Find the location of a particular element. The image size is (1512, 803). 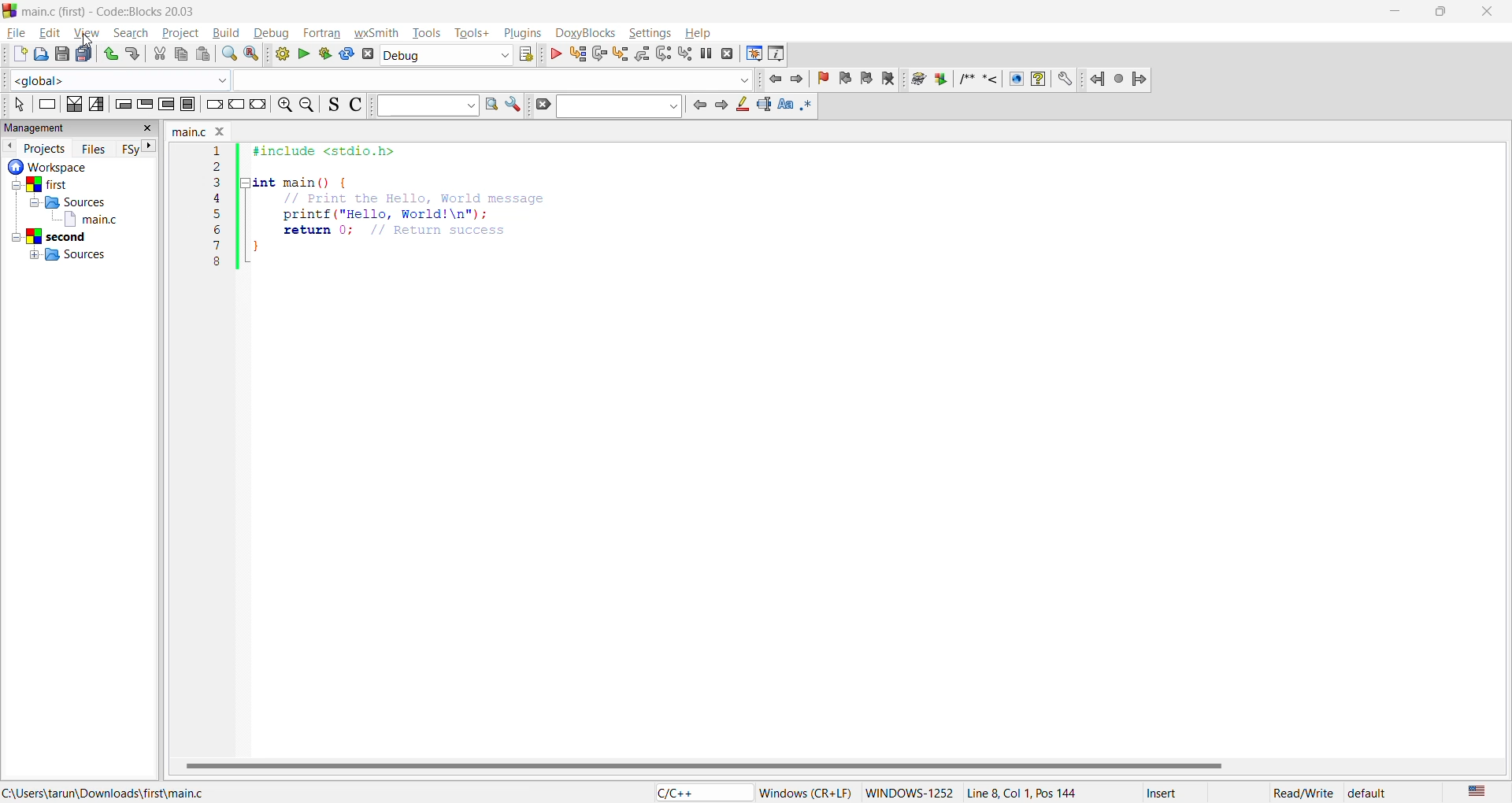

FSy is located at coordinates (128, 149).